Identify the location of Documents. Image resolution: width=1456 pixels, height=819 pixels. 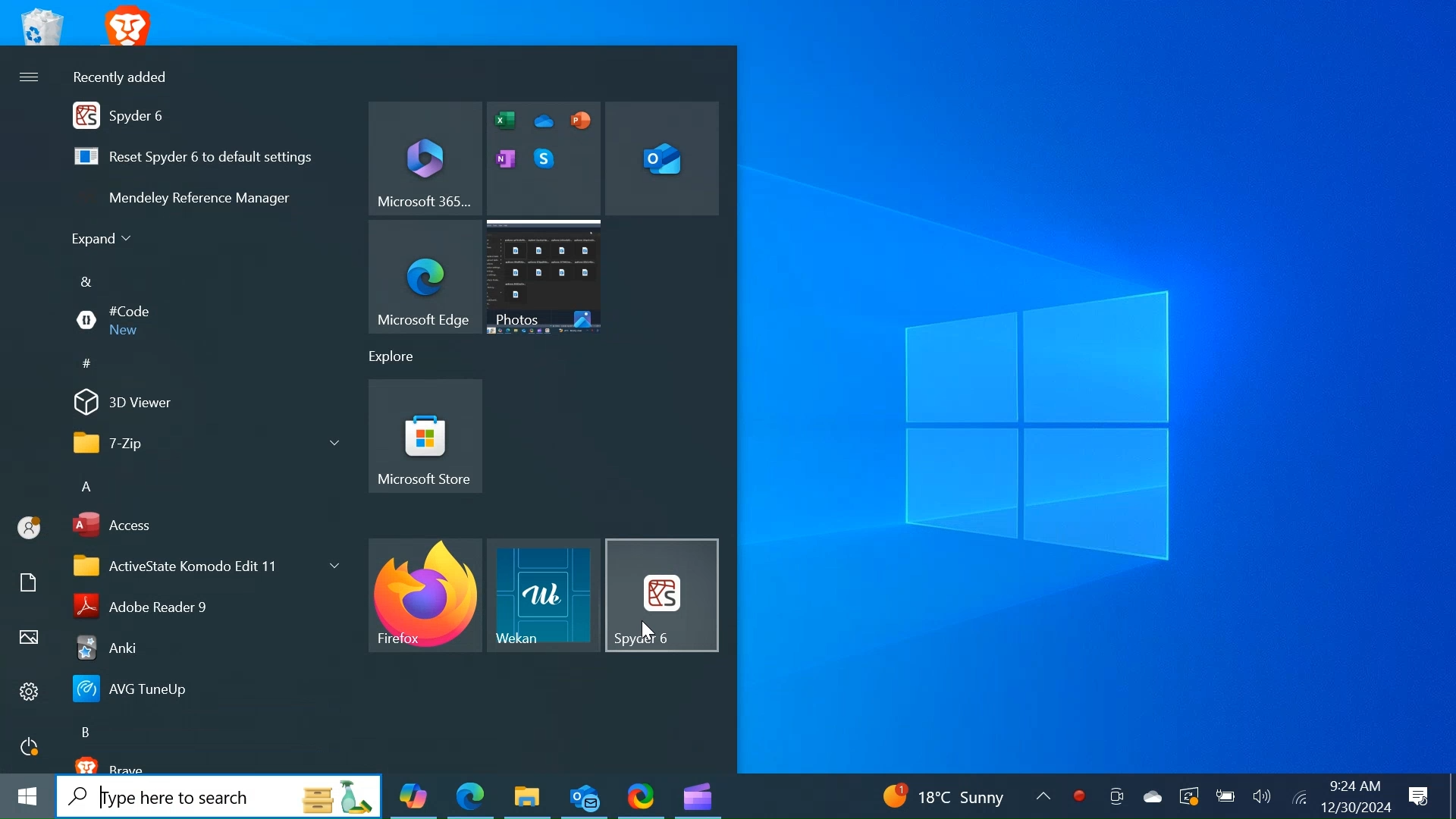
(29, 582).